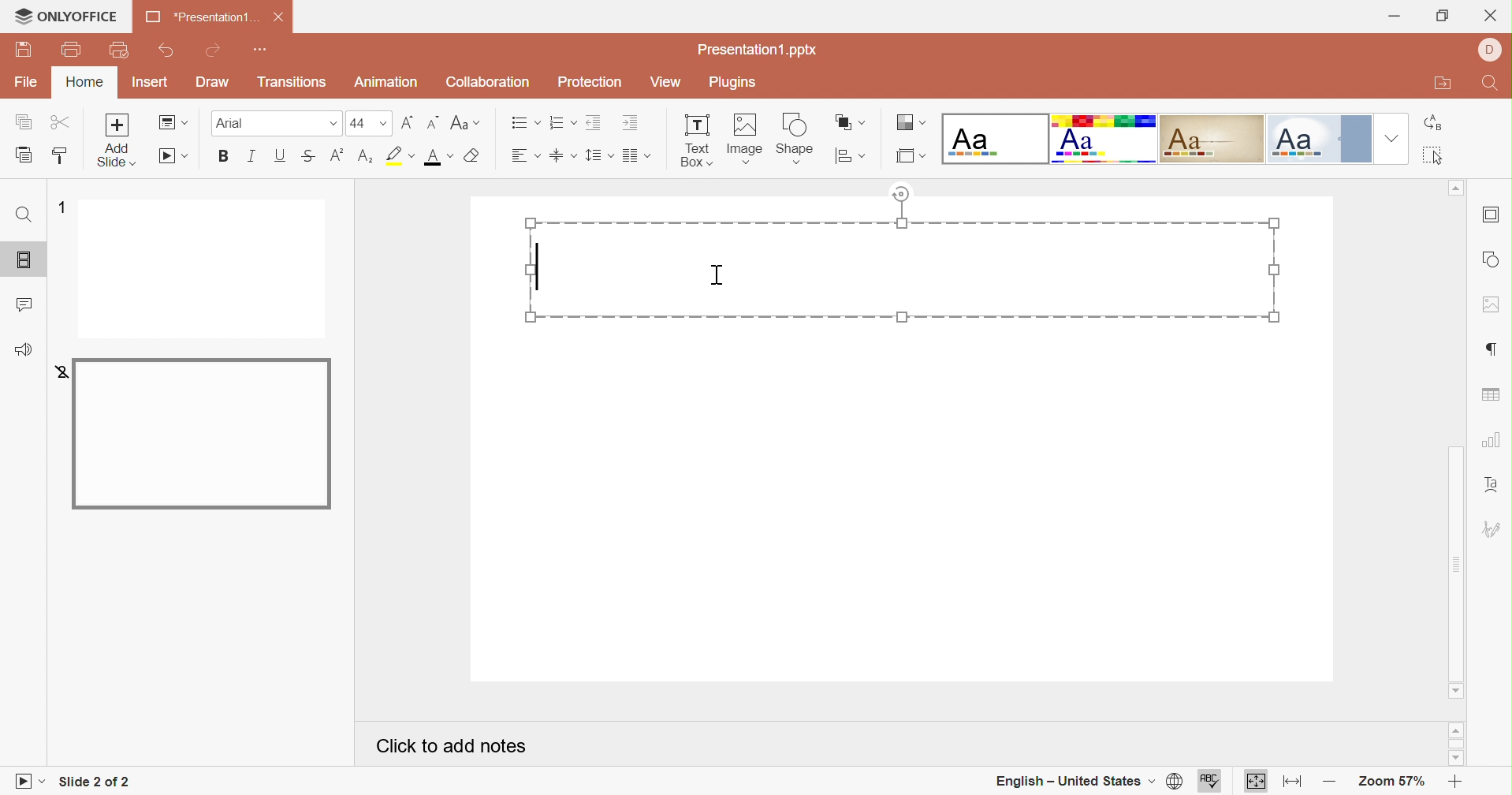 The width and height of the screenshot is (1512, 795). I want to click on Replace, so click(1431, 123).